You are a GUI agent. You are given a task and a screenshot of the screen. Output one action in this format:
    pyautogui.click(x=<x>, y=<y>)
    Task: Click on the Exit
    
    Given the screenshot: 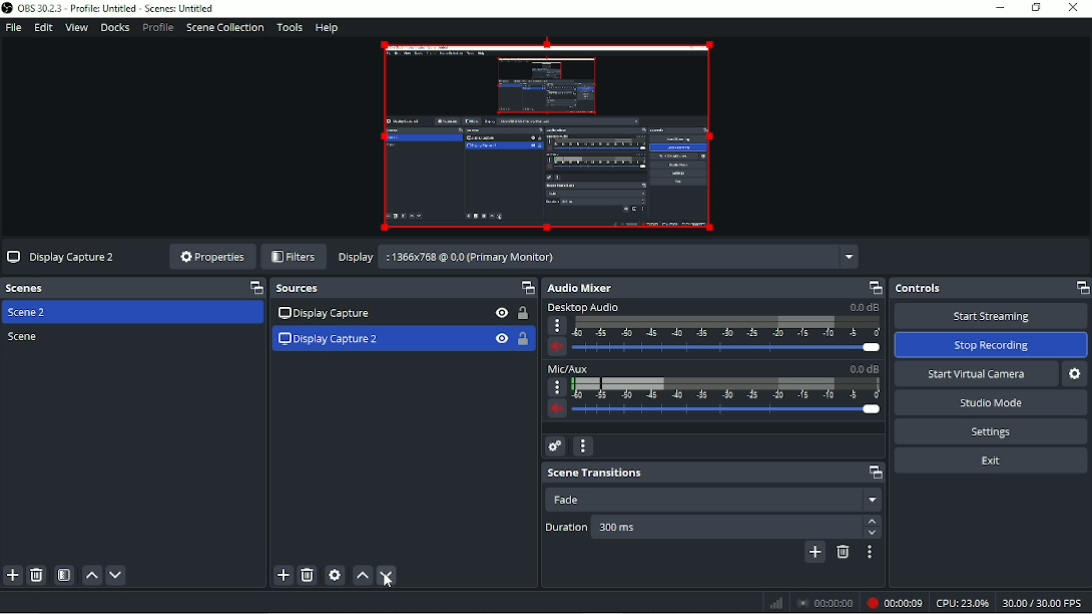 What is the action you would take?
    pyautogui.click(x=990, y=460)
    